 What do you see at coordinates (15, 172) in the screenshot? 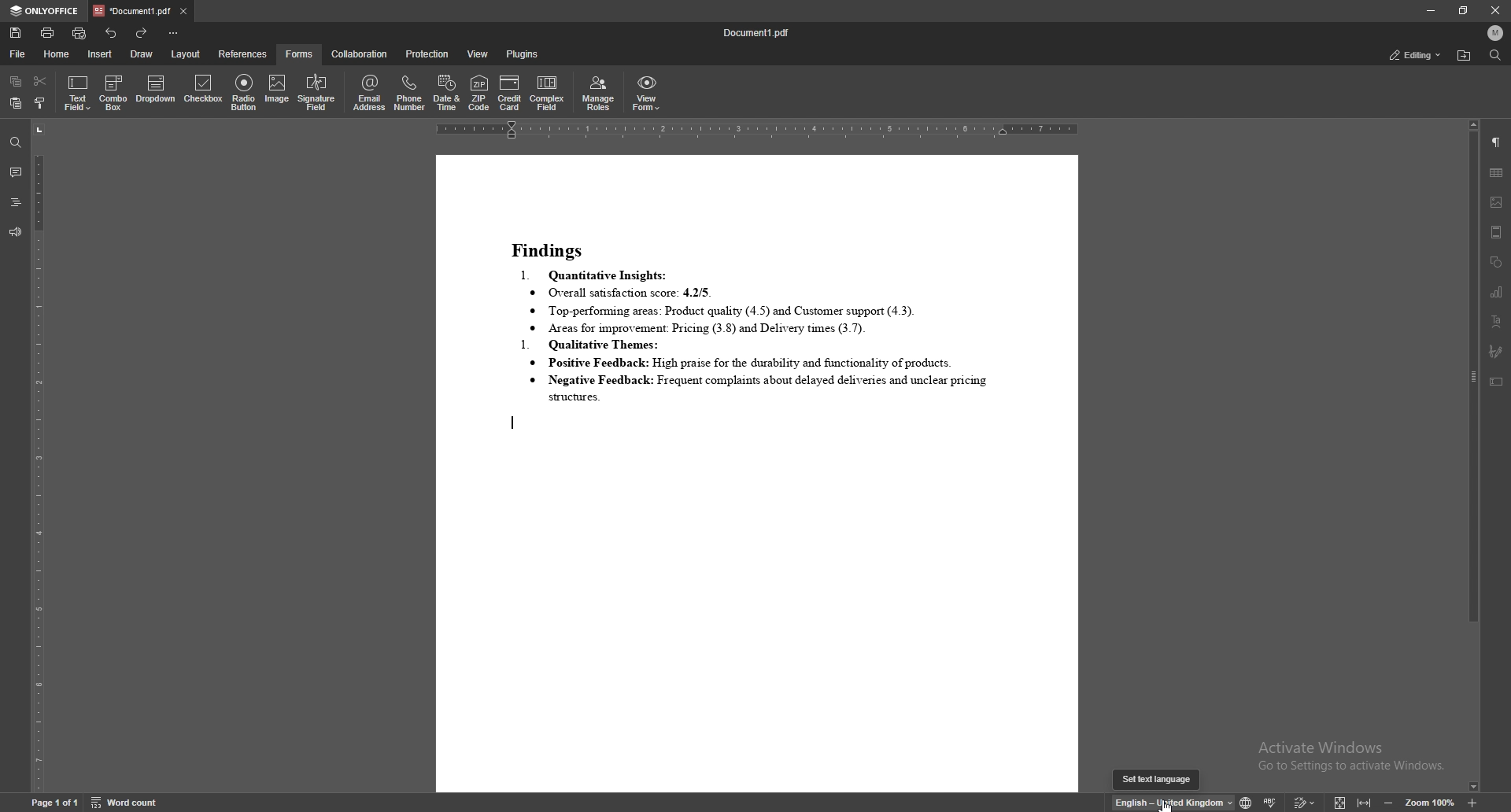
I see `comment` at bounding box center [15, 172].